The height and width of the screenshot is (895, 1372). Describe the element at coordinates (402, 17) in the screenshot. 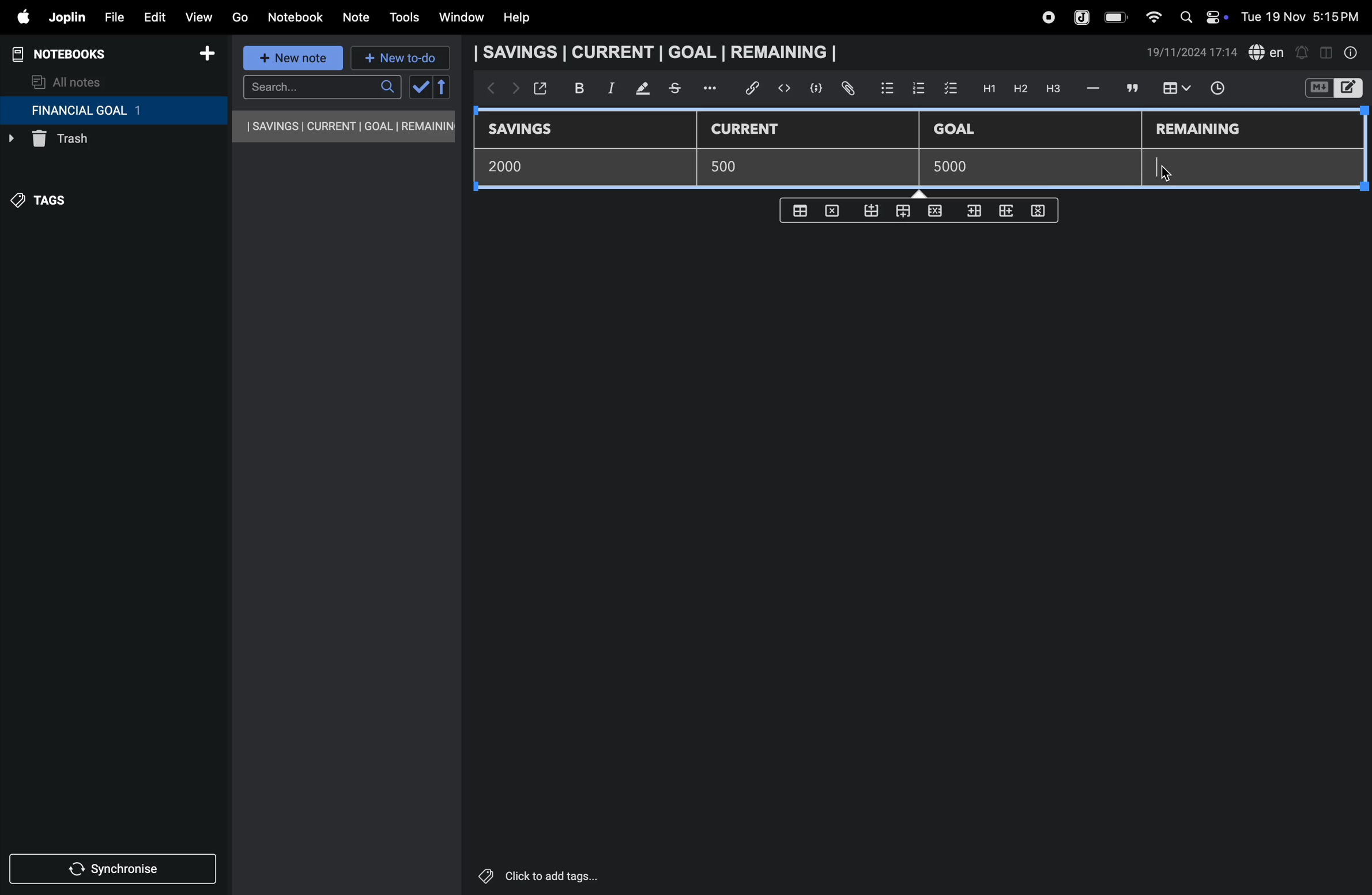

I see `tools` at that location.